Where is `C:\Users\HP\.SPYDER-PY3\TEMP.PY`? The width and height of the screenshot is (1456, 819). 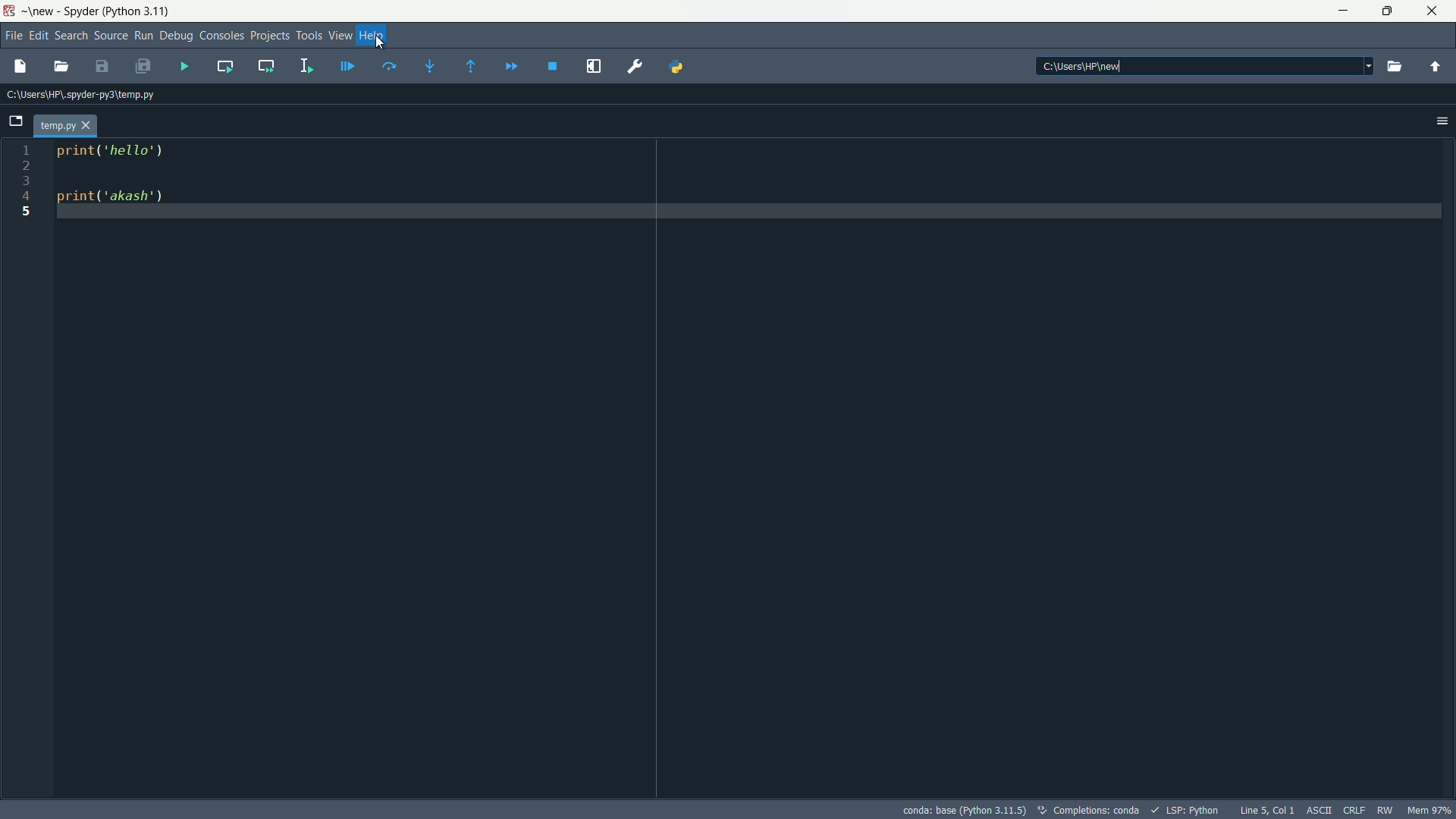
C:\Users\HP\.SPYDER-PY3\TEMP.PY is located at coordinates (86, 93).